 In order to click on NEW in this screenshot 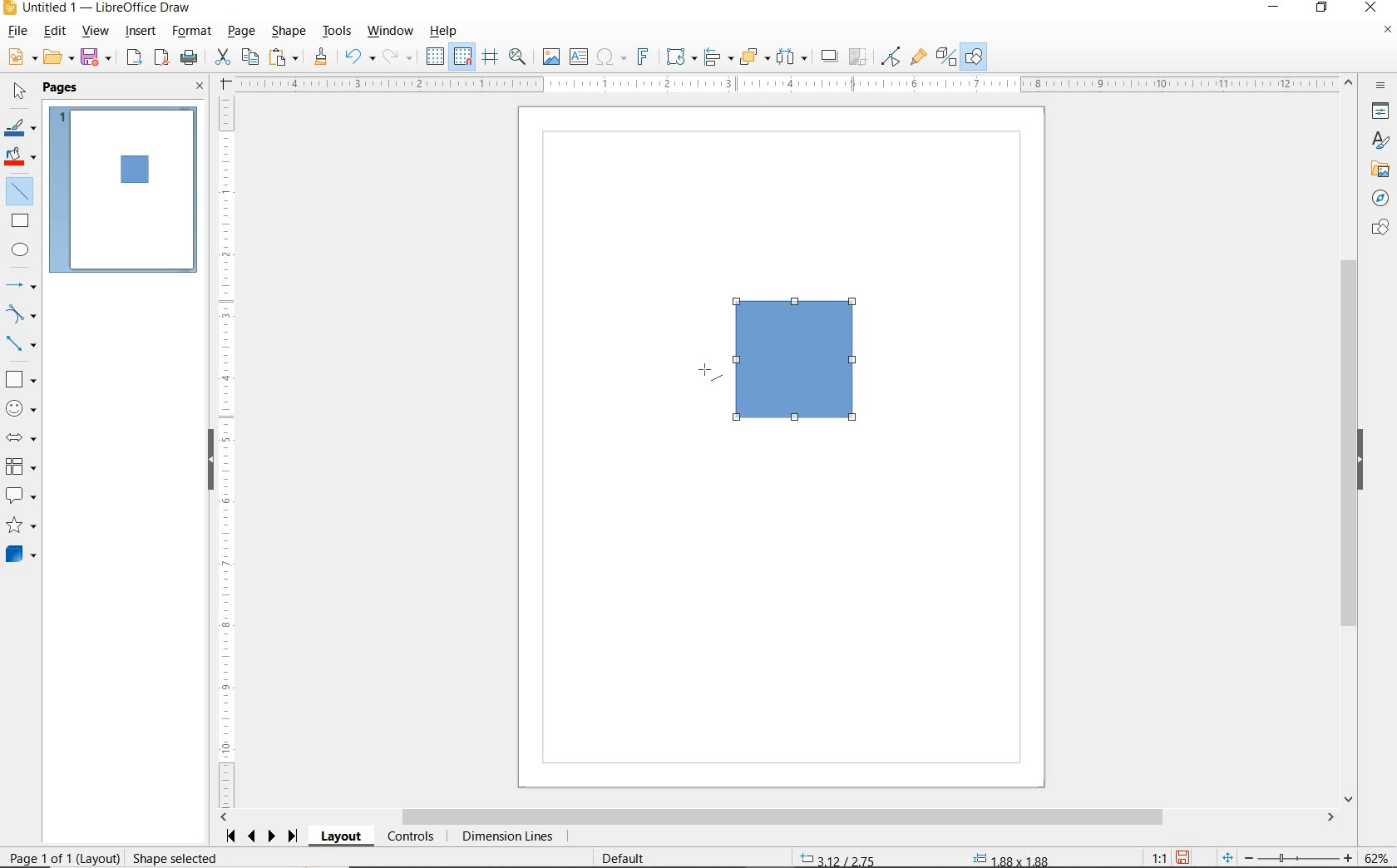, I will do `click(21, 57)`.